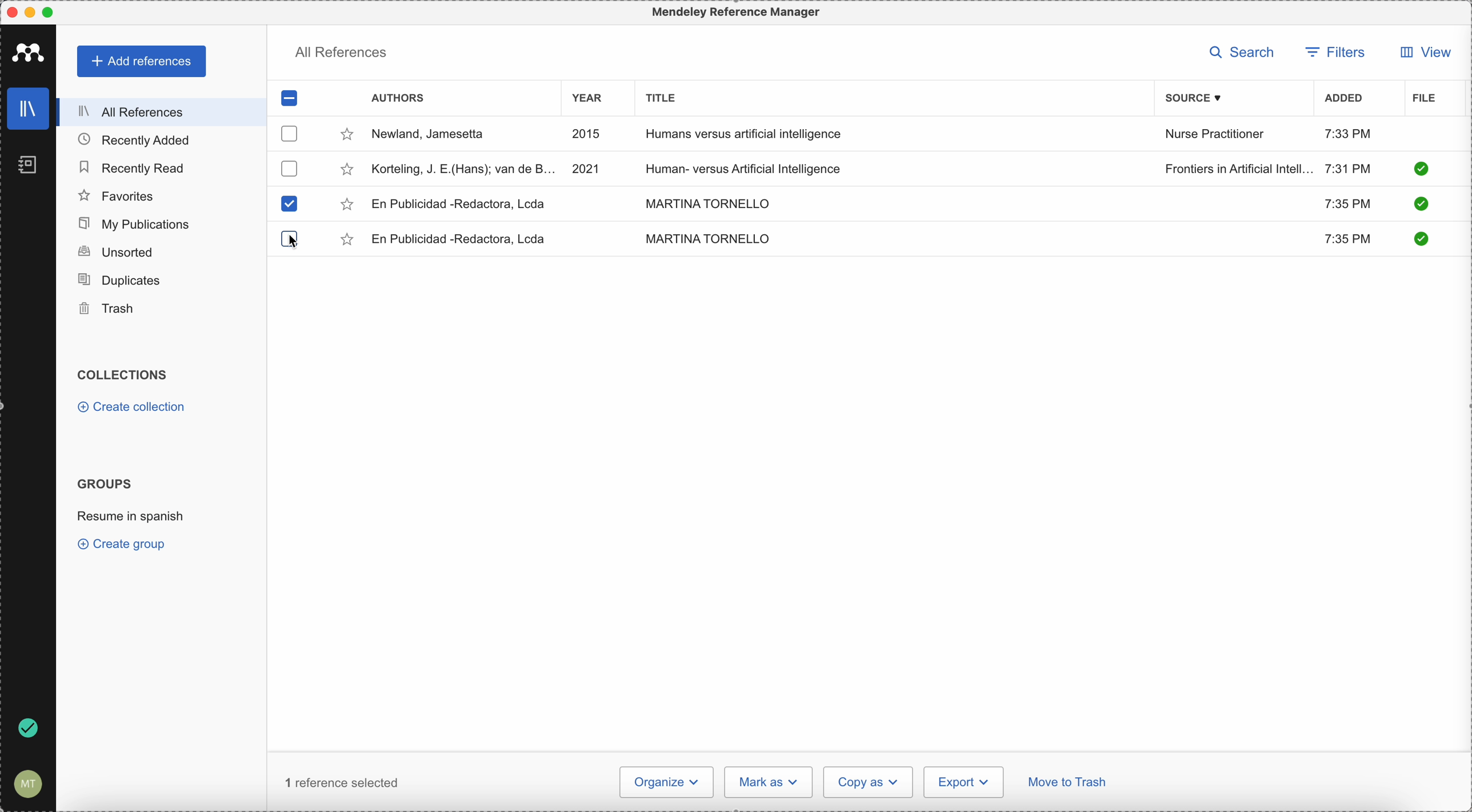  I want to click on check it, so click(1419, 238).